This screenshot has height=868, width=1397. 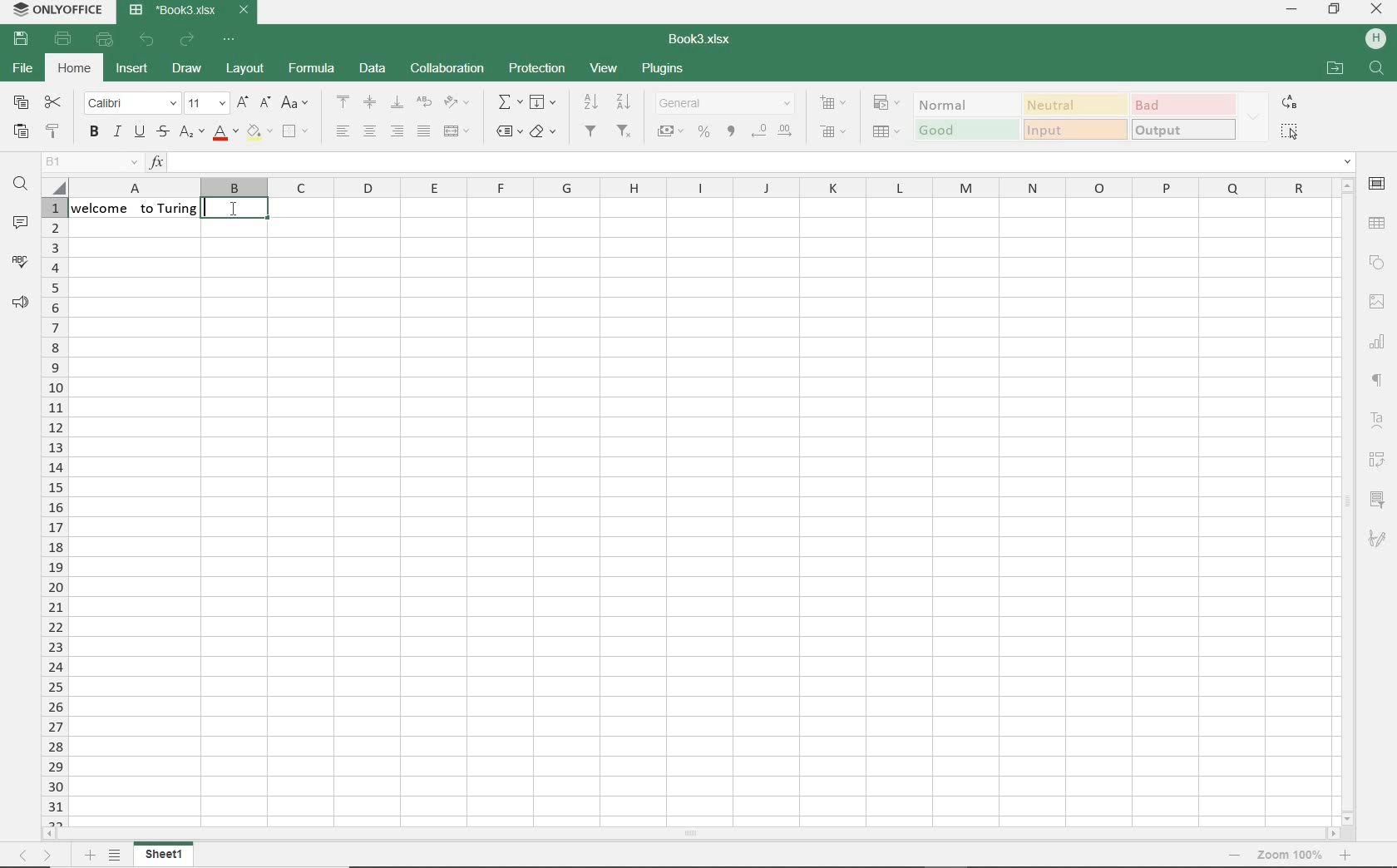 What do you see at coordinates (624, 101) in the screenshot?
I see `sort descending` at bounding box center [624, 101].